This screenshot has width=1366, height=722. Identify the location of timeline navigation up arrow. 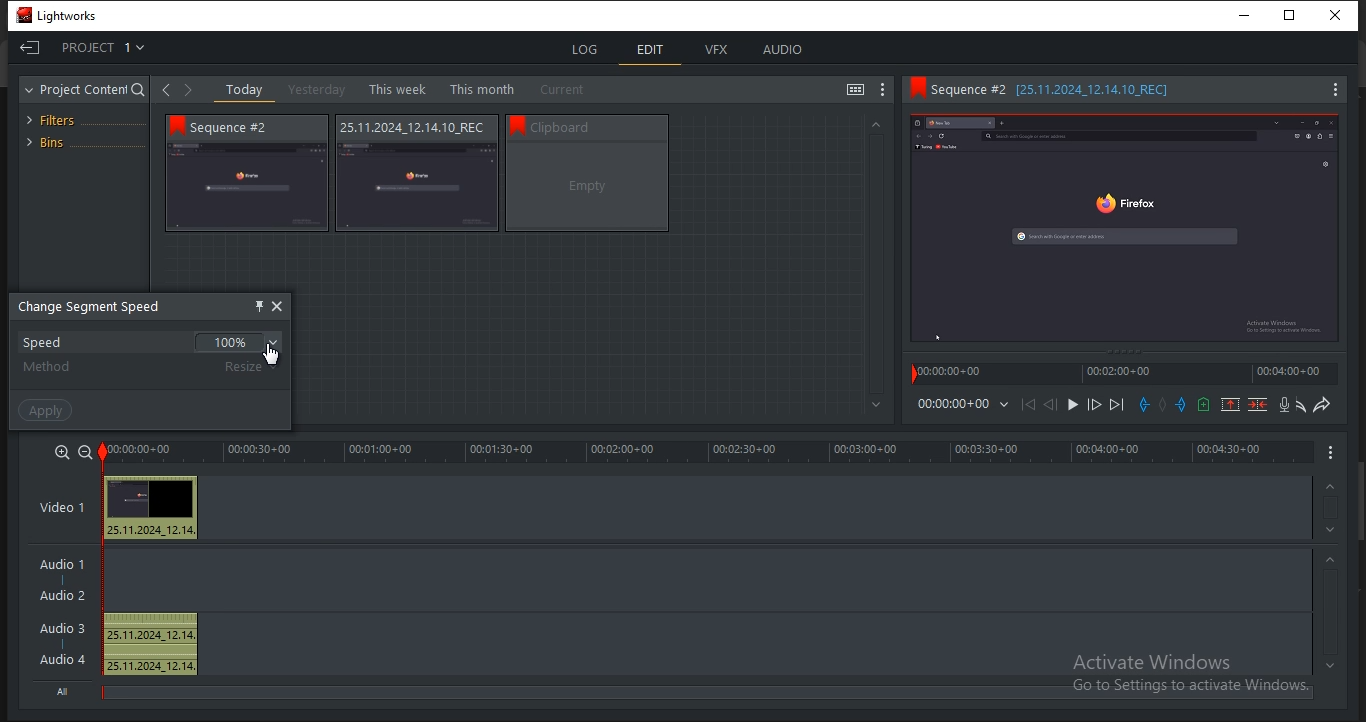
(1330, 486).